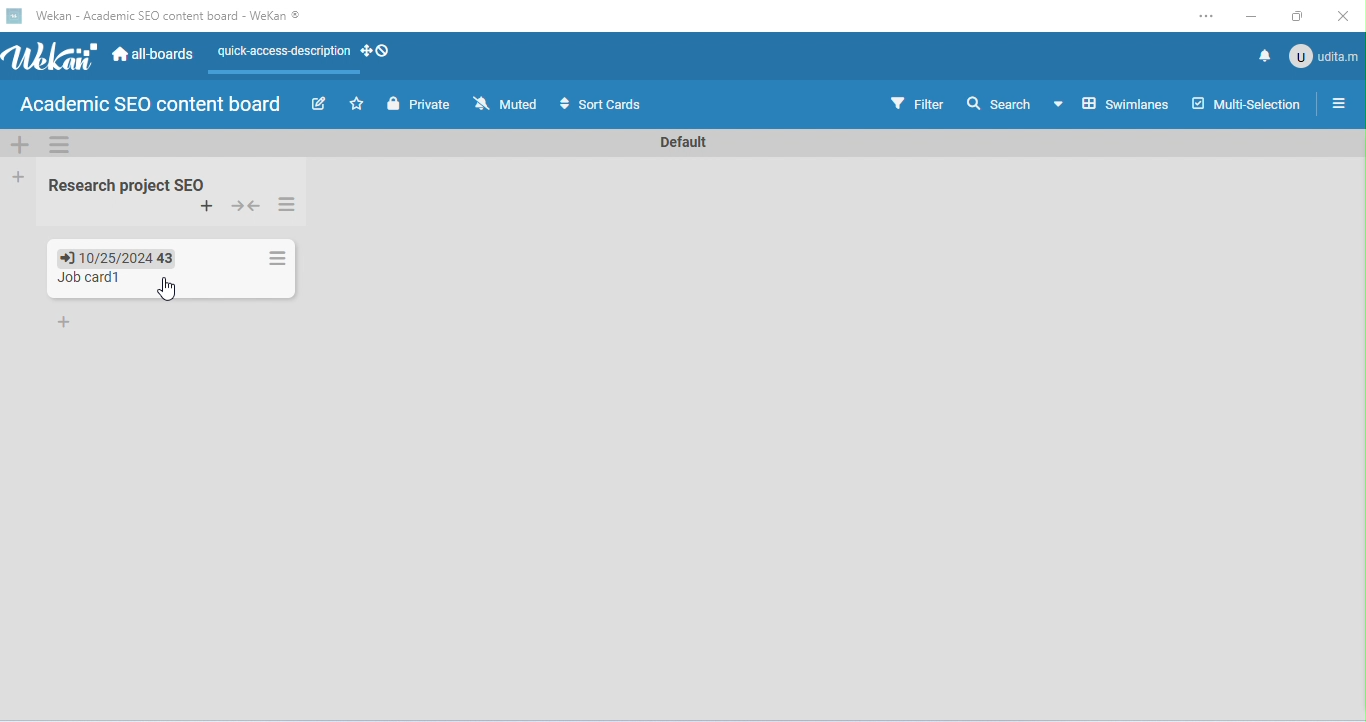 Image resolution: width=1366 pixels, height=722 pixels. What do you see at coordinates (289, 205) in the screenshot?
I see `list actions` at bounding box center [289, 205].